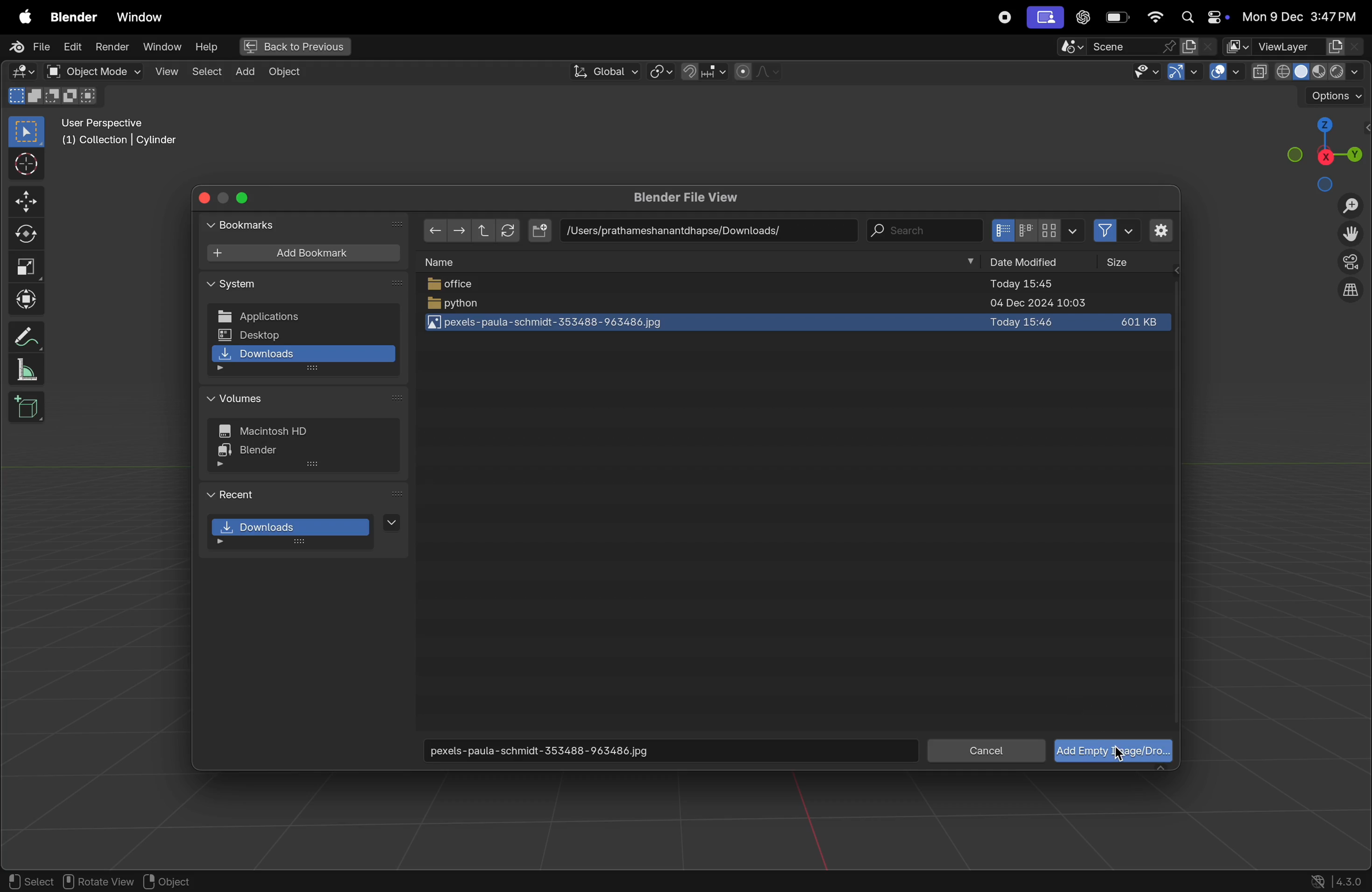  Describe the element at coordinates (27, 407) in the screenshot. I see `3d cube` at that location.